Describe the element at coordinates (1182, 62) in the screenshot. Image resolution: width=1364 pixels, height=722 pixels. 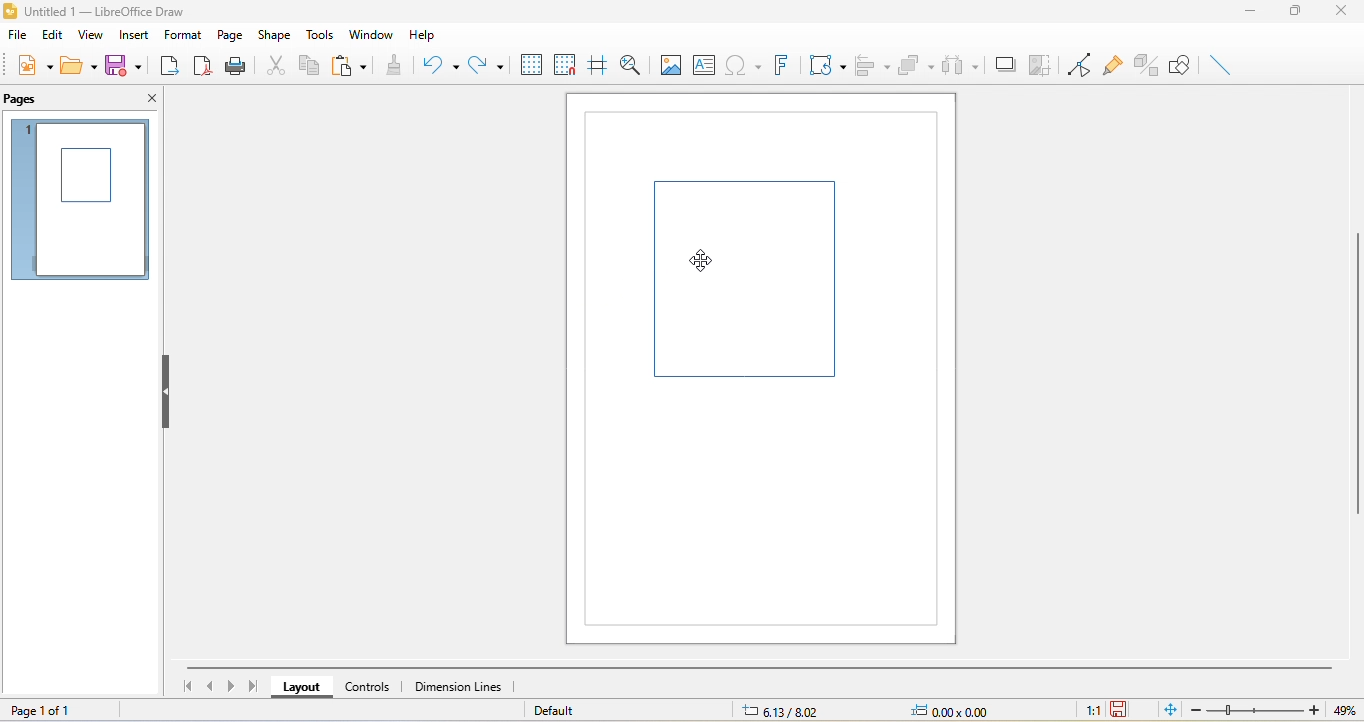
I see `show draw function` at that location.